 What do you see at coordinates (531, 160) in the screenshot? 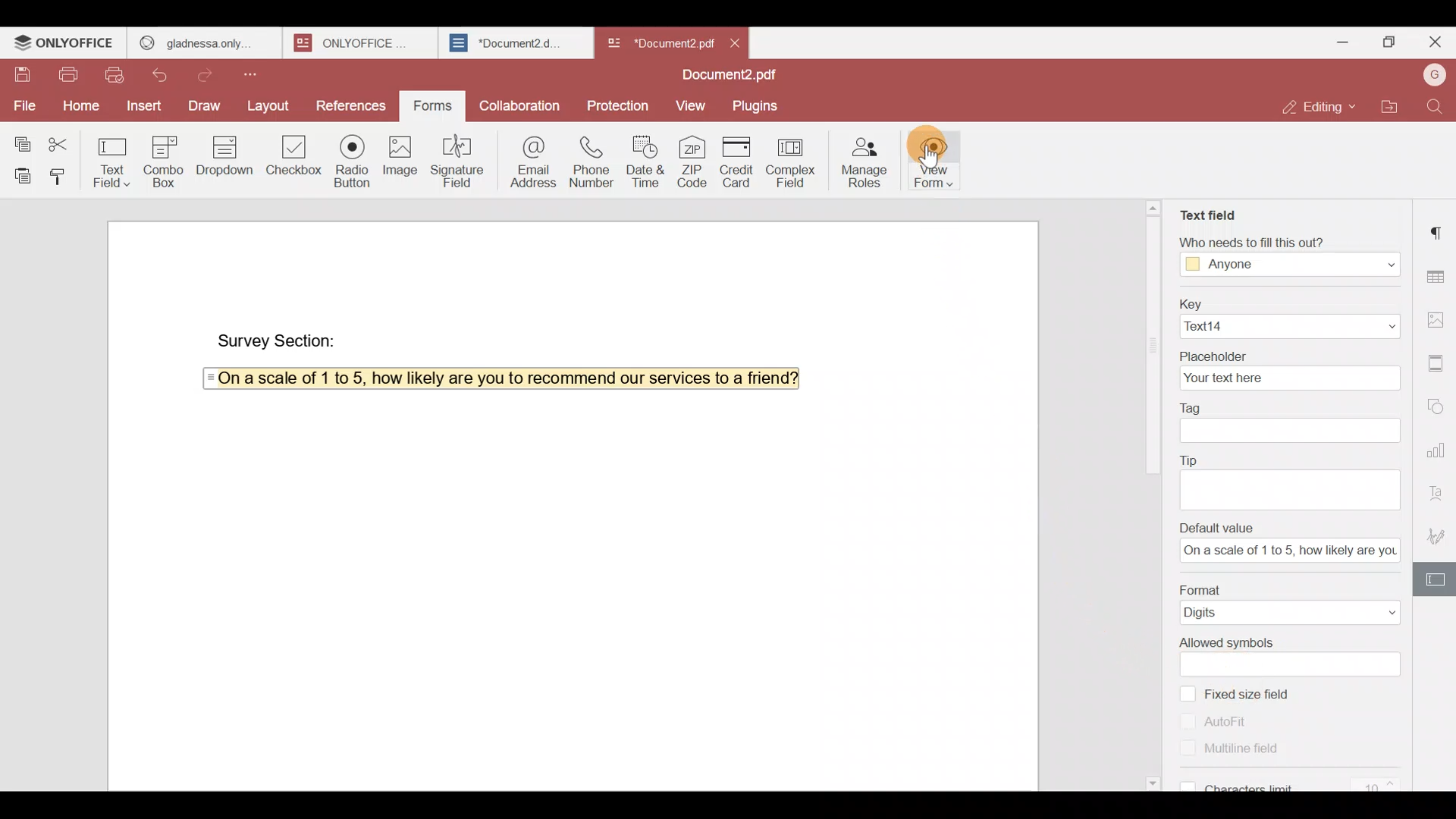
I see `Email address` at bounding box center [531, 160].